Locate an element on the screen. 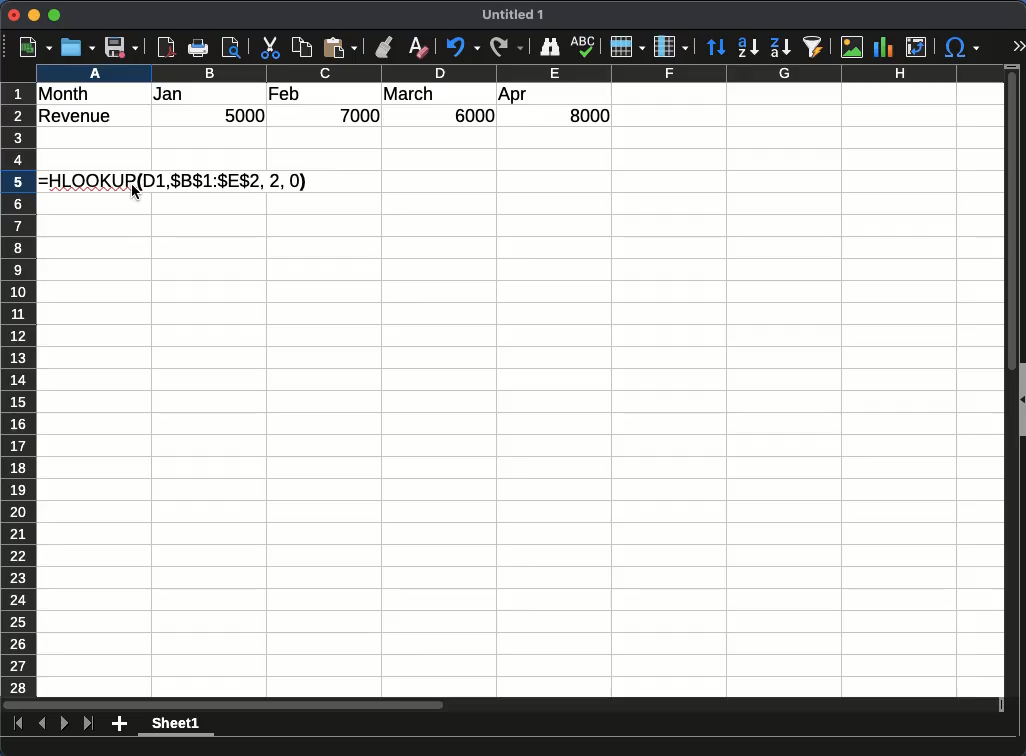 The image size is (1026, 756). print is located at coordinates (198, 47).